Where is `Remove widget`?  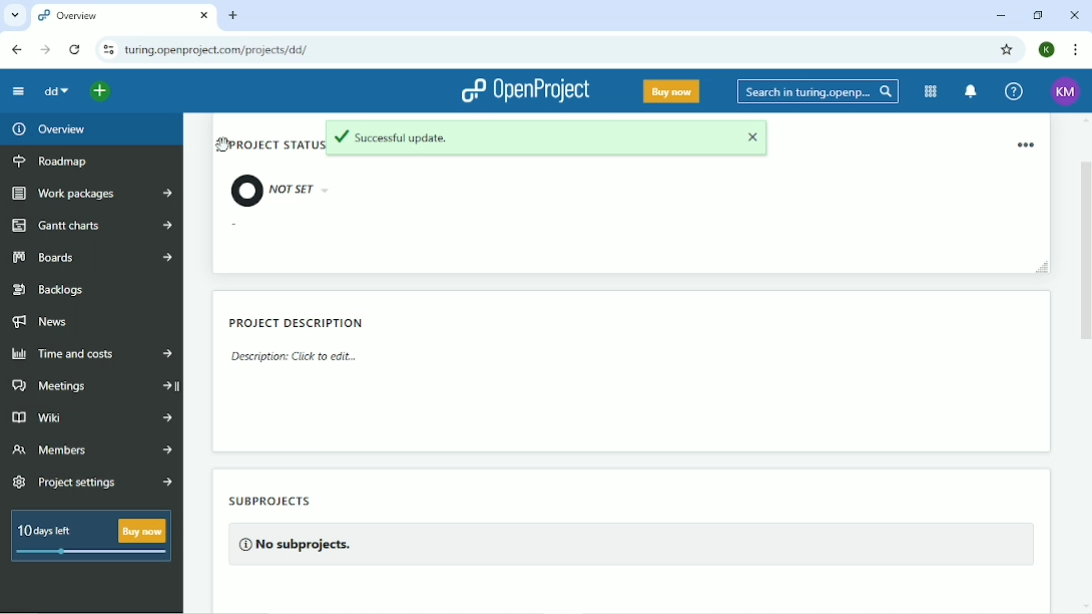 Remove widget is located at coordinates (1027, 144).